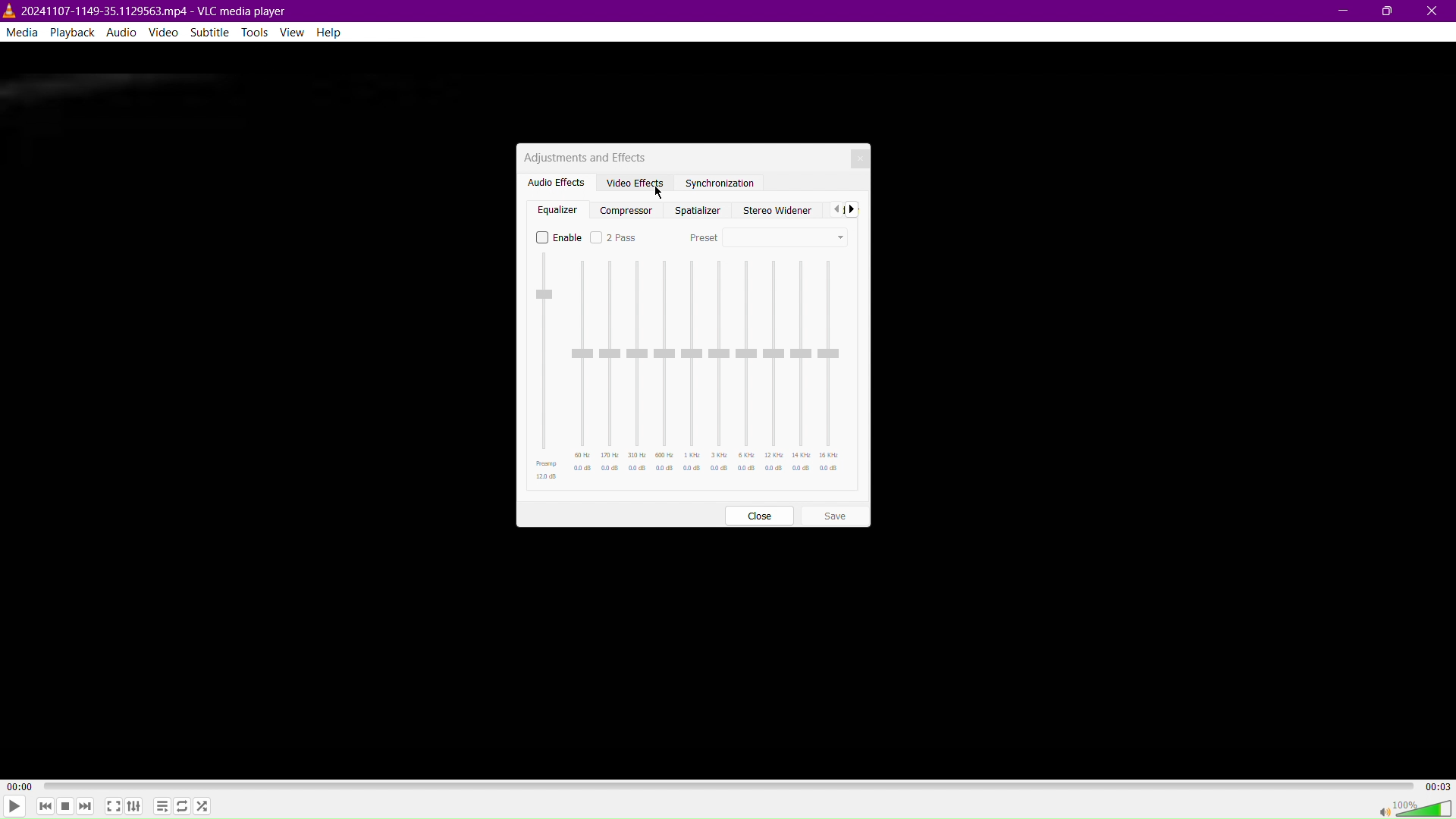 Image resolution: width=1456 pixels, height=819 pixels. I want to click on Next, so click(855, 209).